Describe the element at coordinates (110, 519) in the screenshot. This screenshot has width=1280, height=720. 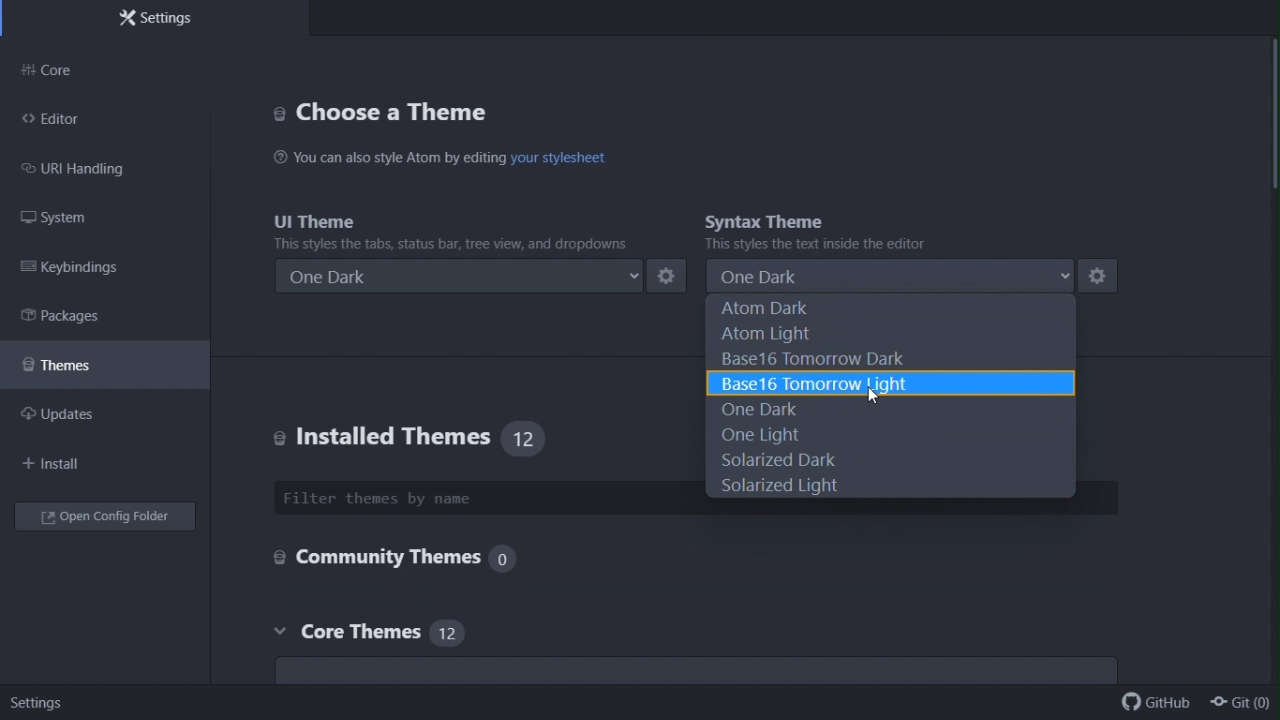
I see `Open folder` at that location.